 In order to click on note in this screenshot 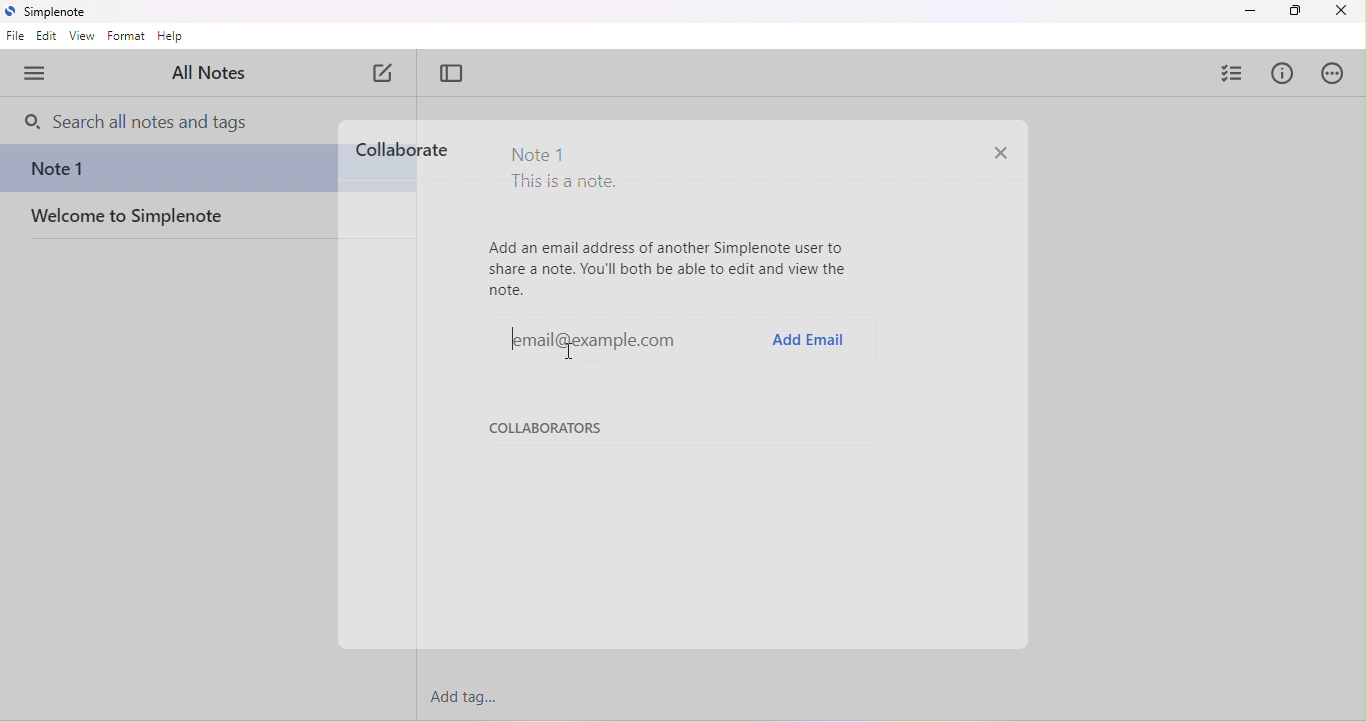, I will do `click(166, 171)`.